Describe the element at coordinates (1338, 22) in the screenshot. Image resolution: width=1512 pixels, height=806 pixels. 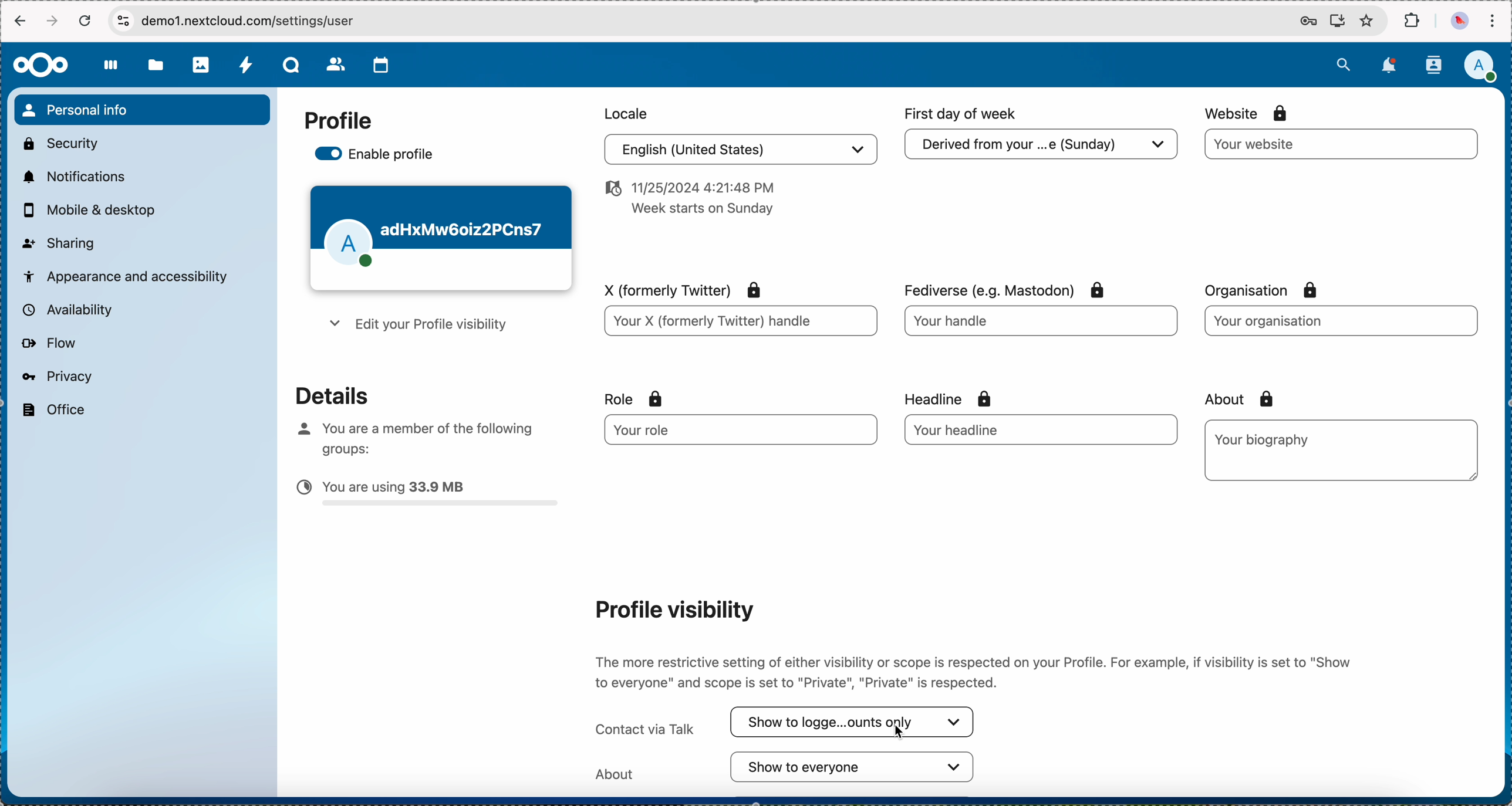
I see `install Nextcloud` at that location.